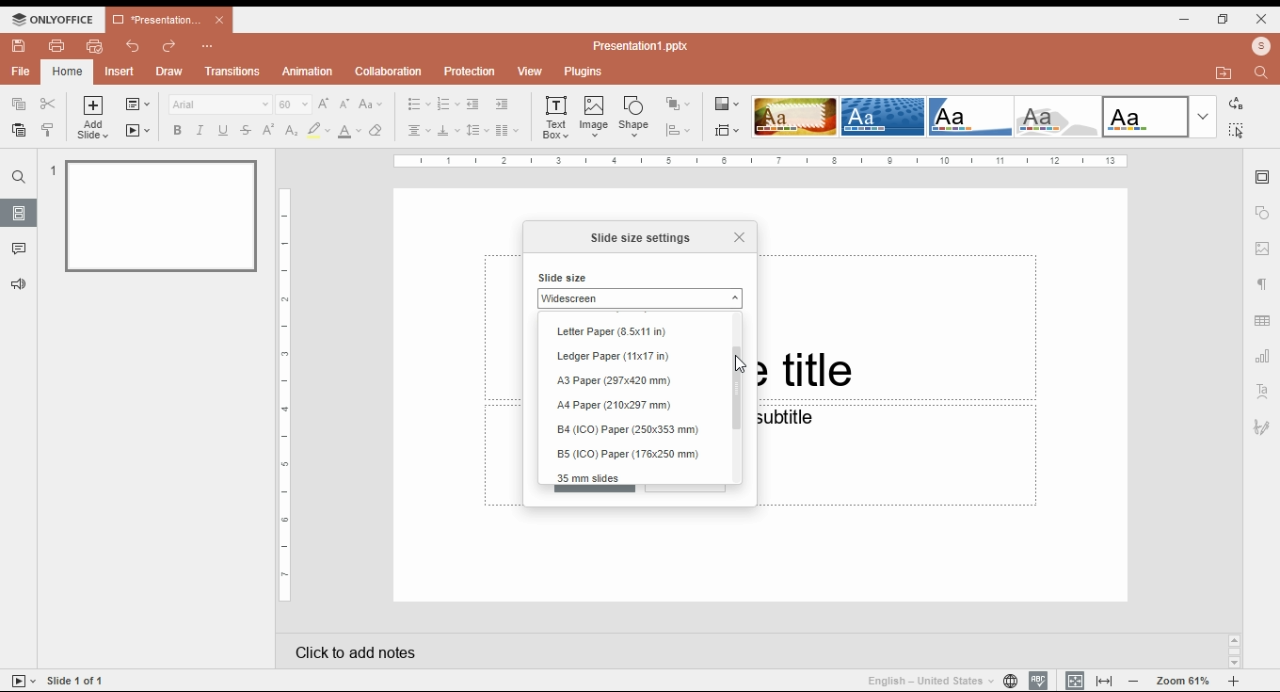  Describe the element at coordinates (66, 72) in the screenshot. I see `home` at that location.